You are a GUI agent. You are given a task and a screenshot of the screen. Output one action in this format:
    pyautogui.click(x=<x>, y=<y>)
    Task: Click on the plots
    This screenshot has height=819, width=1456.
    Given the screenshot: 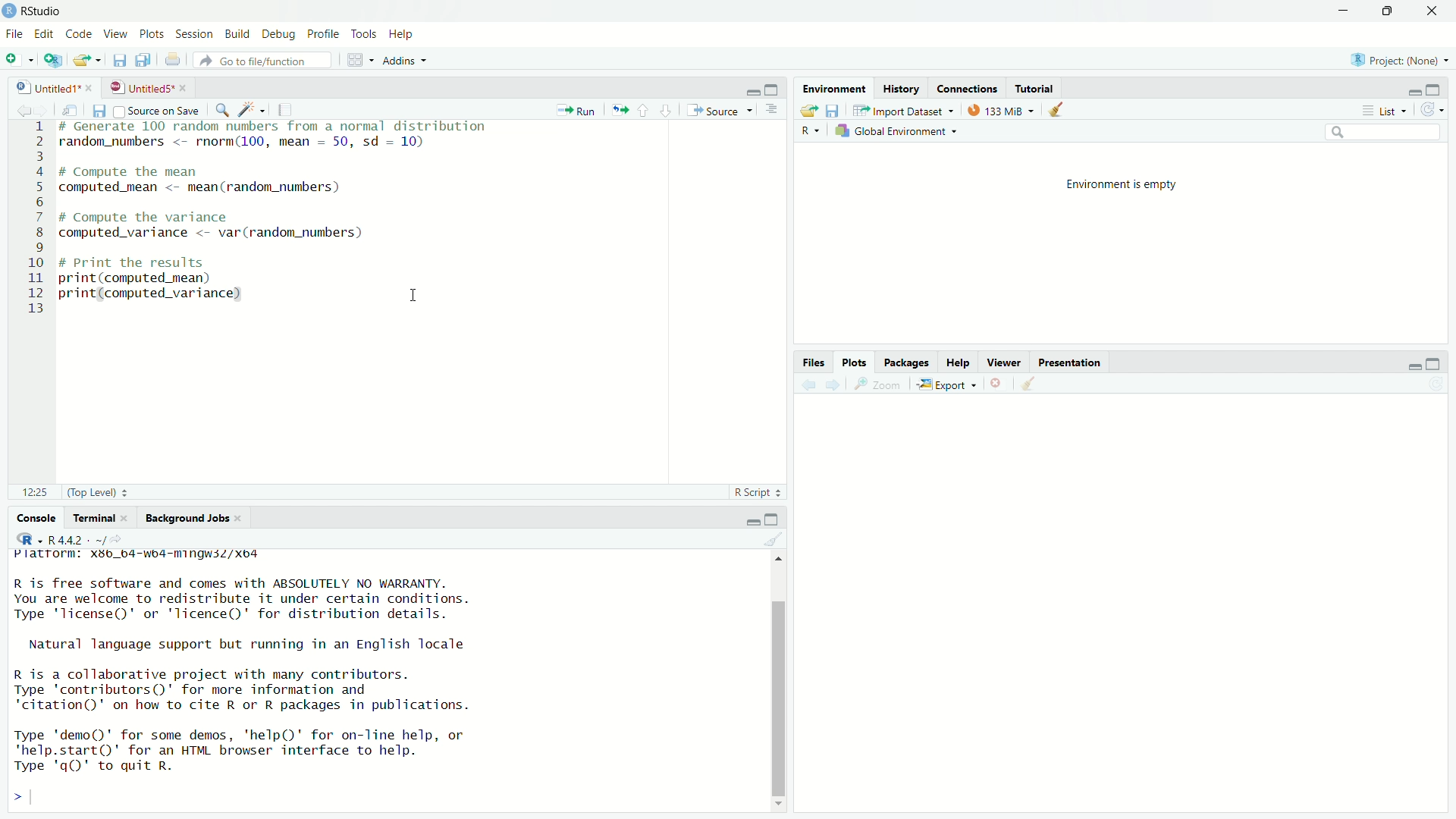 What is the action you would take?
    pyautogui.click(x=153, y=35)
    